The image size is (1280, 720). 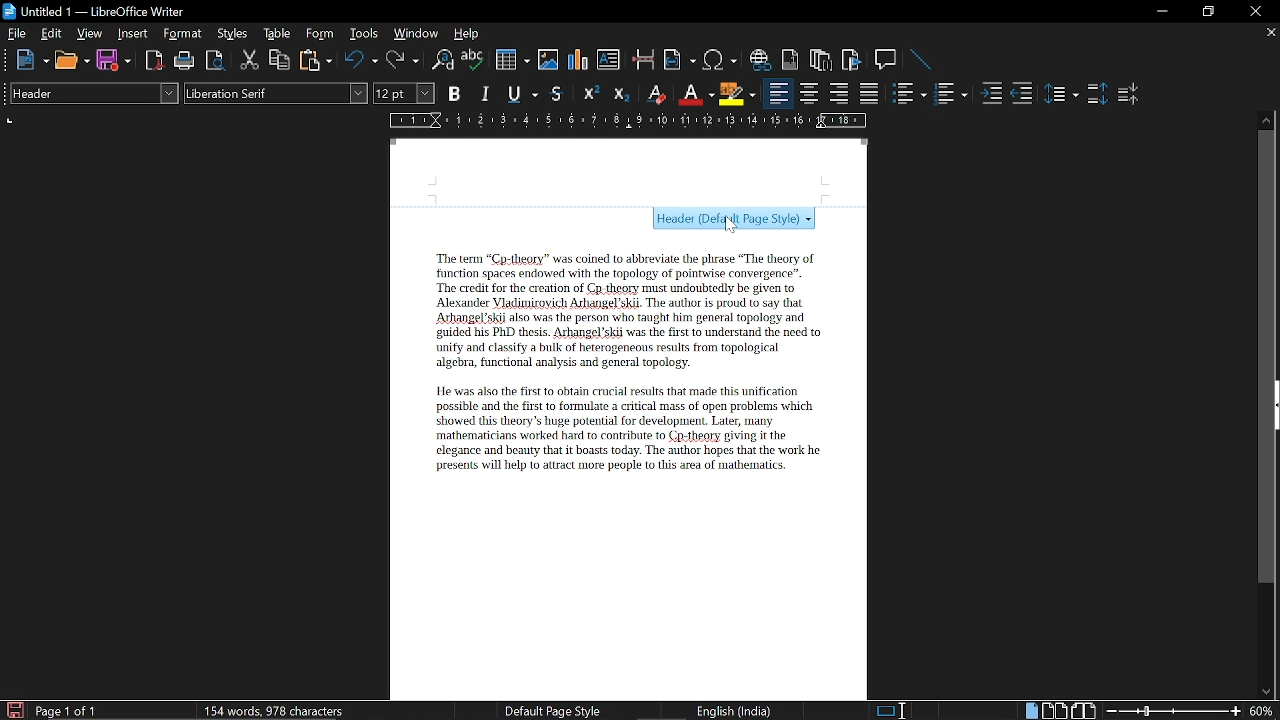 What do you see at coordinates (821, 60) in the screenshot?
I see `Insert footnote` at bounding box center [821, 60].